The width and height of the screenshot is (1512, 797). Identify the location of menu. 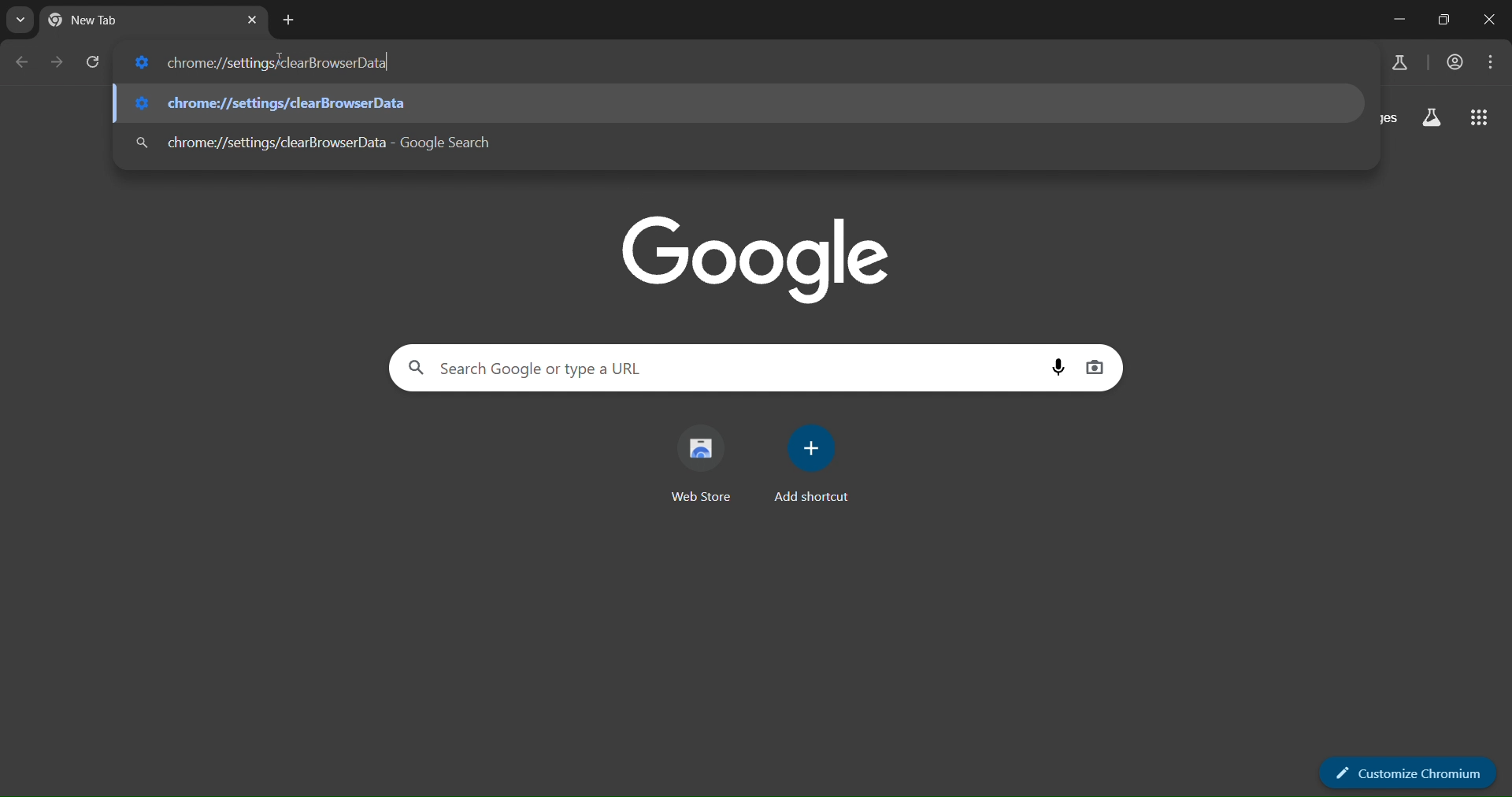
(1490, 65).